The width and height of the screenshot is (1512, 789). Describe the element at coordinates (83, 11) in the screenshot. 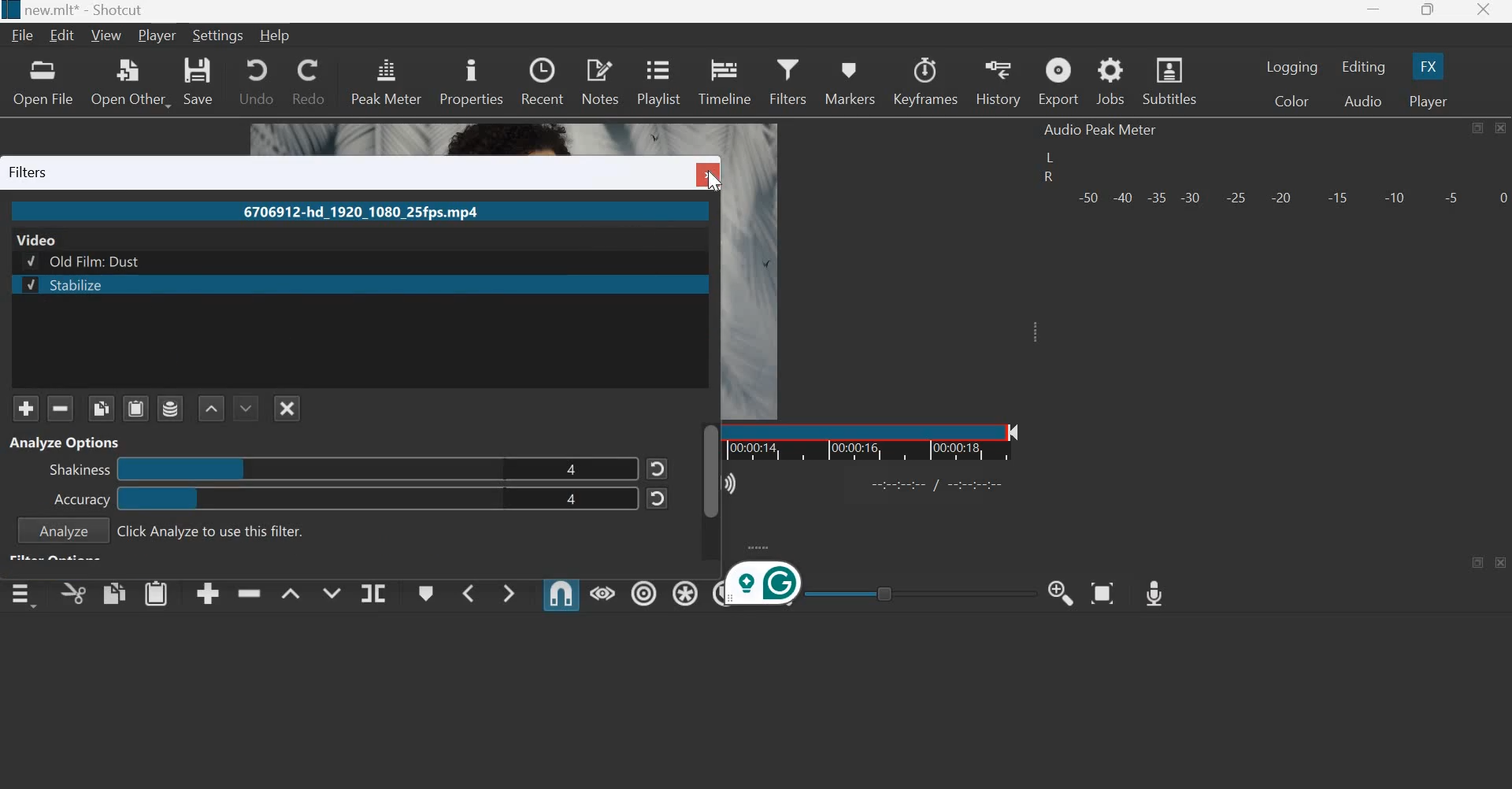

I see `new.mlt* - Shotcut` at that location.